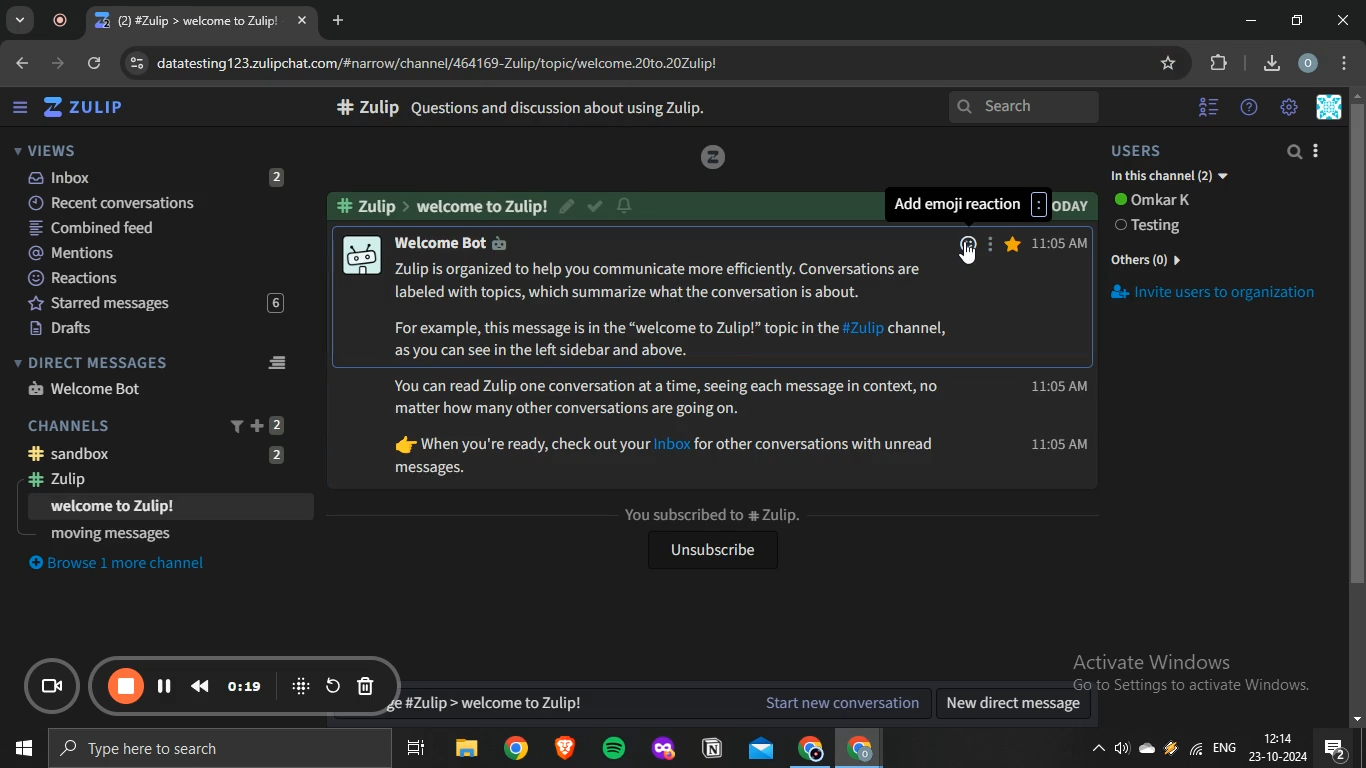 The width and height of the screenshot is (1366, 768). I want to click on unsubscribe, so click(709, 552).